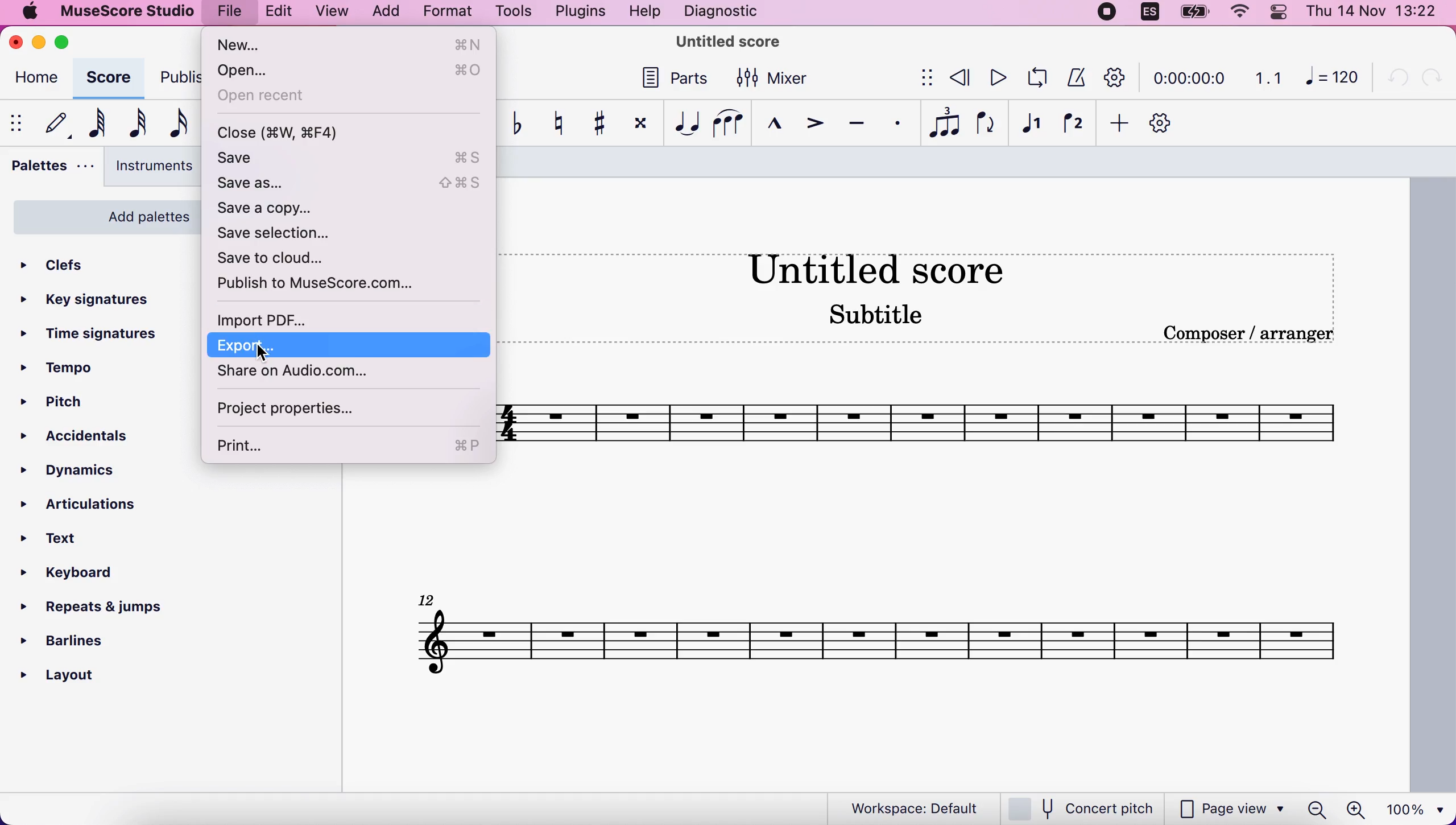 The width and height of the screenshot is (1456, 825). What do you see at coordinates (226, 13) in the screenshot?
I see `file` at bounding box center [226, 13].